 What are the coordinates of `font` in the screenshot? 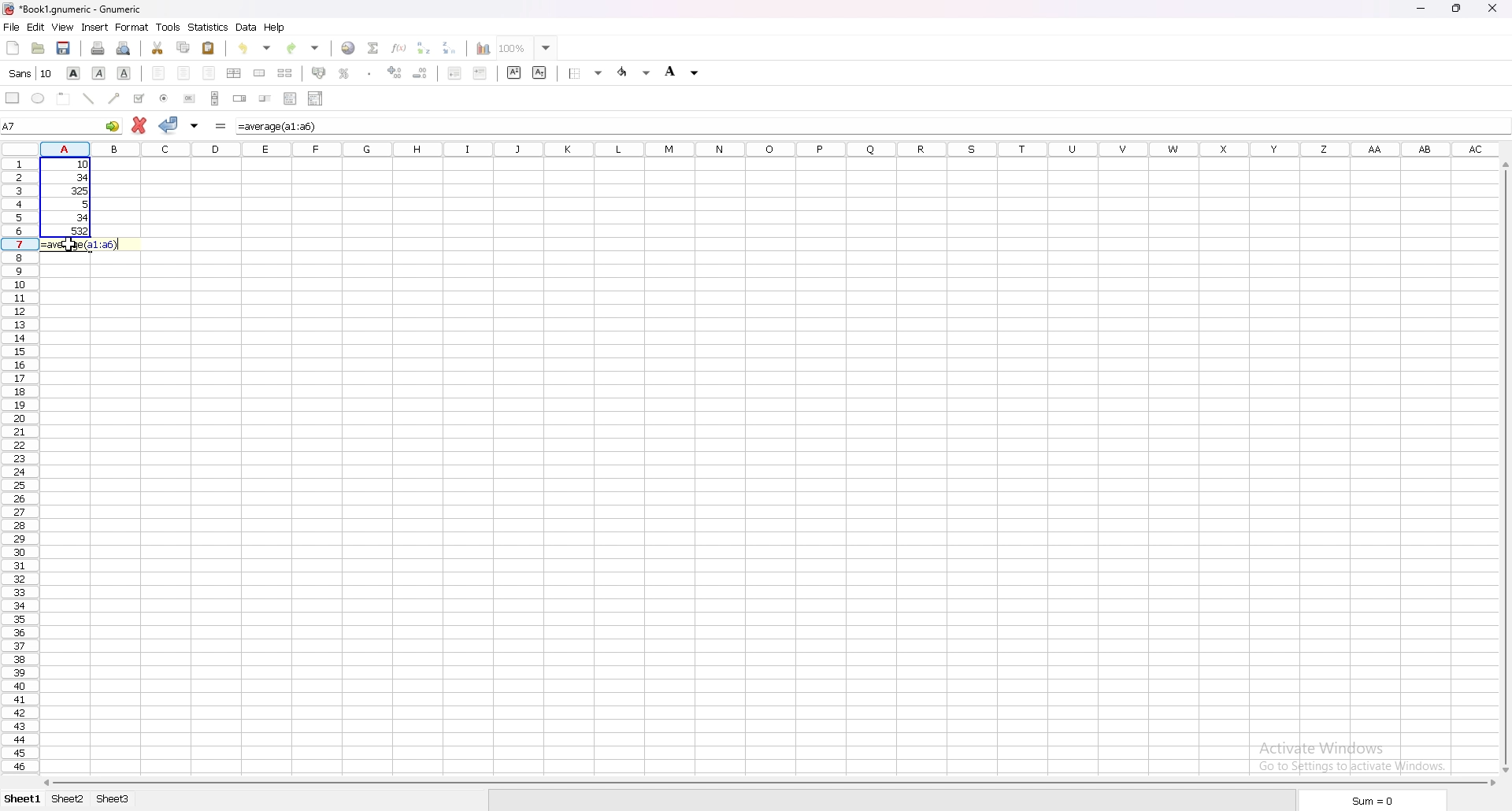 It's located at (31, 72).